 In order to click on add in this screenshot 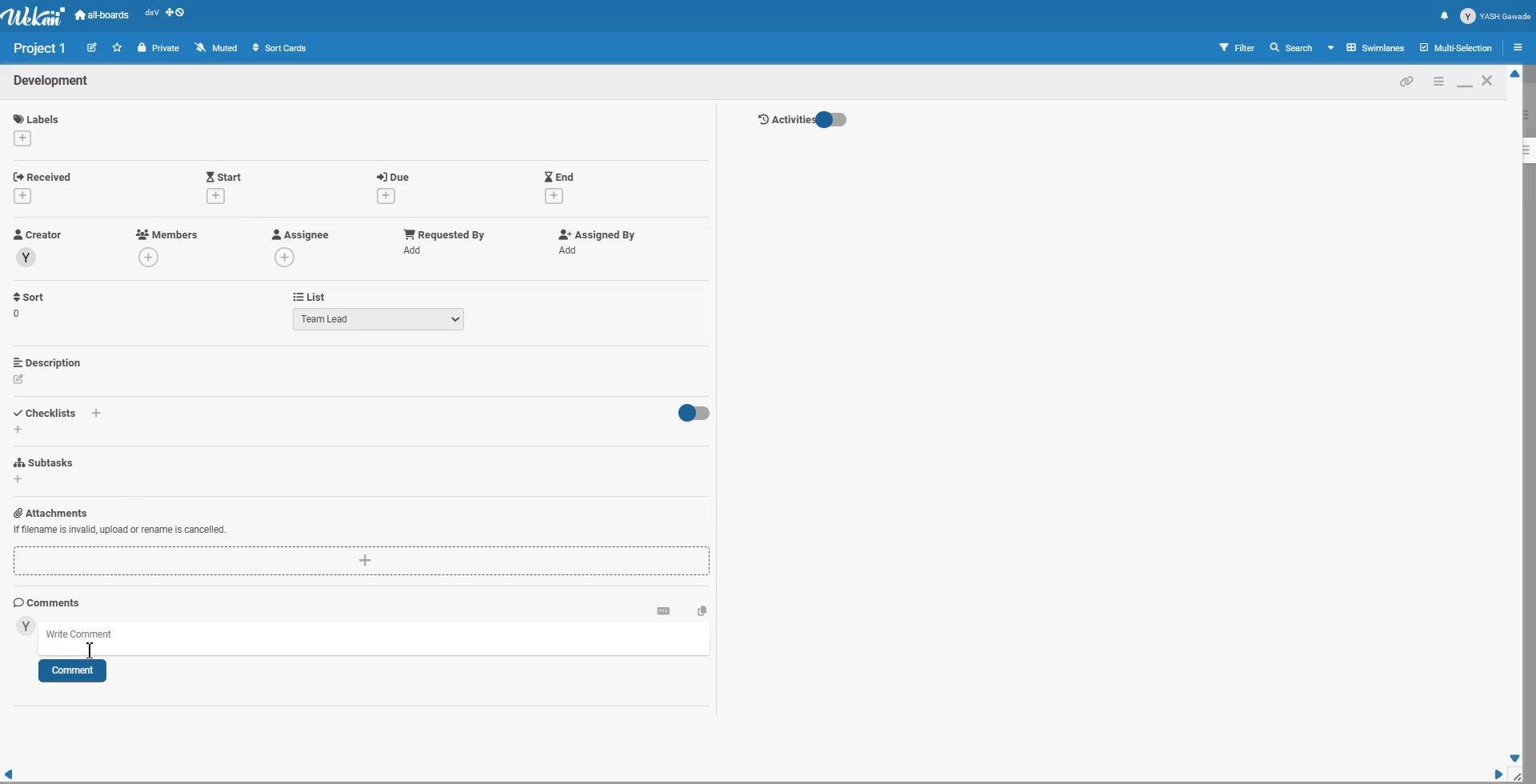, I will do `click(286, 257)`.